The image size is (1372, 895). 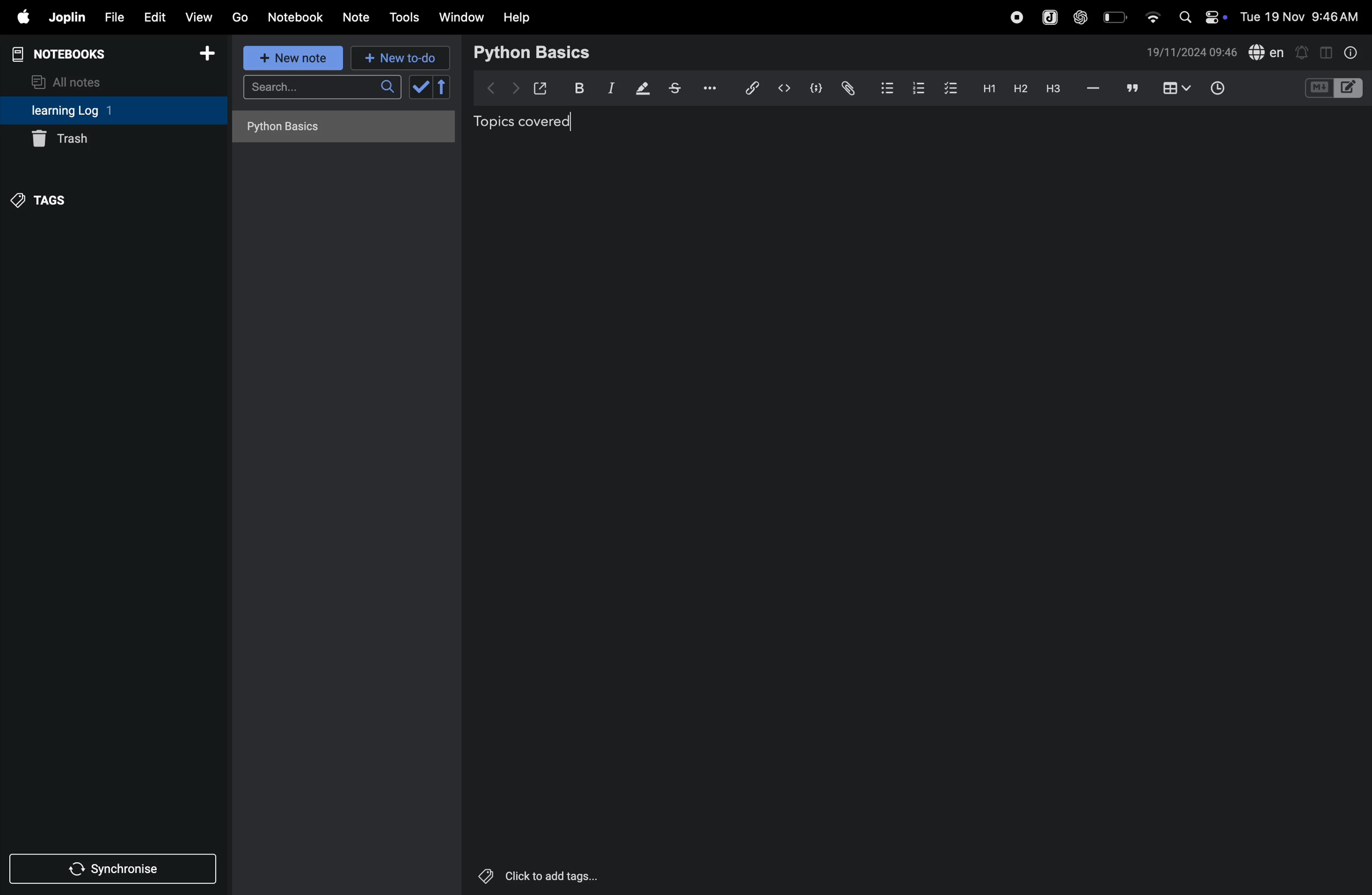 What do you see at coordinates (643, 89) in the screenshot?
I see `displaying` at bounding box center [643, 89].